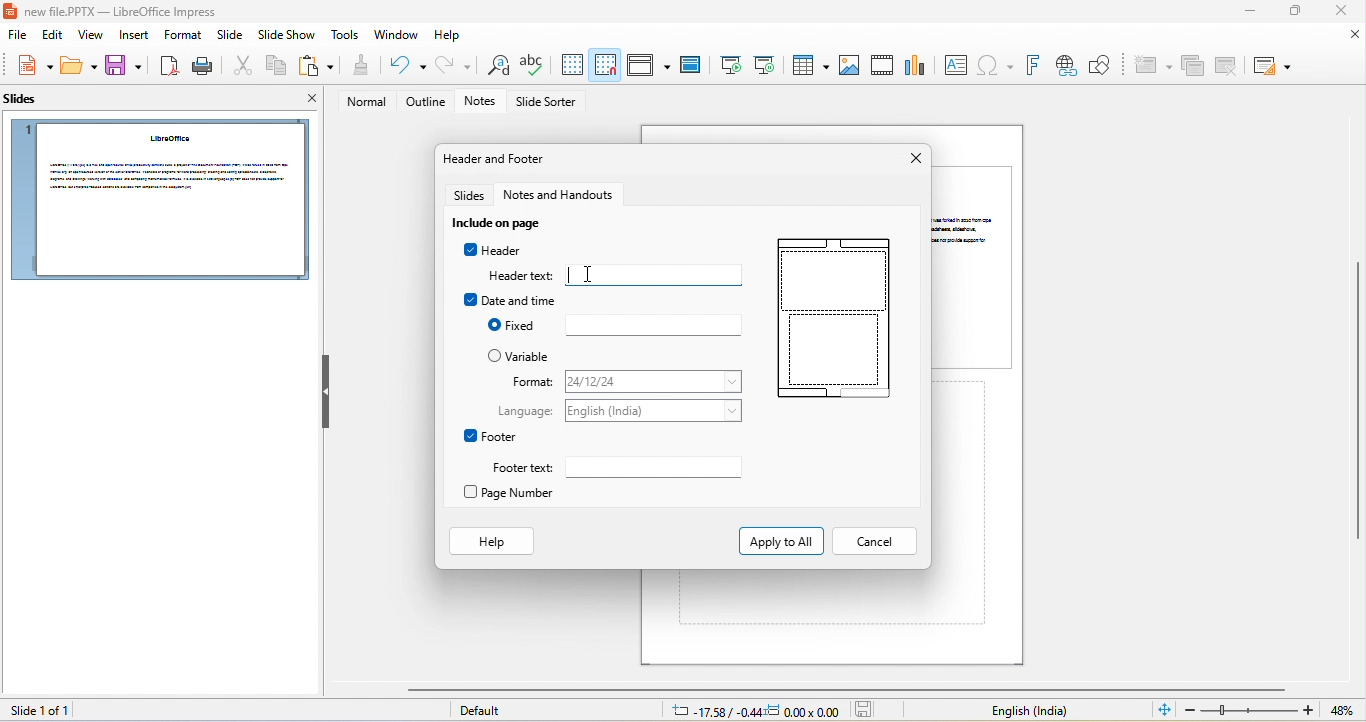  I want to click on format, so click(526, 382).